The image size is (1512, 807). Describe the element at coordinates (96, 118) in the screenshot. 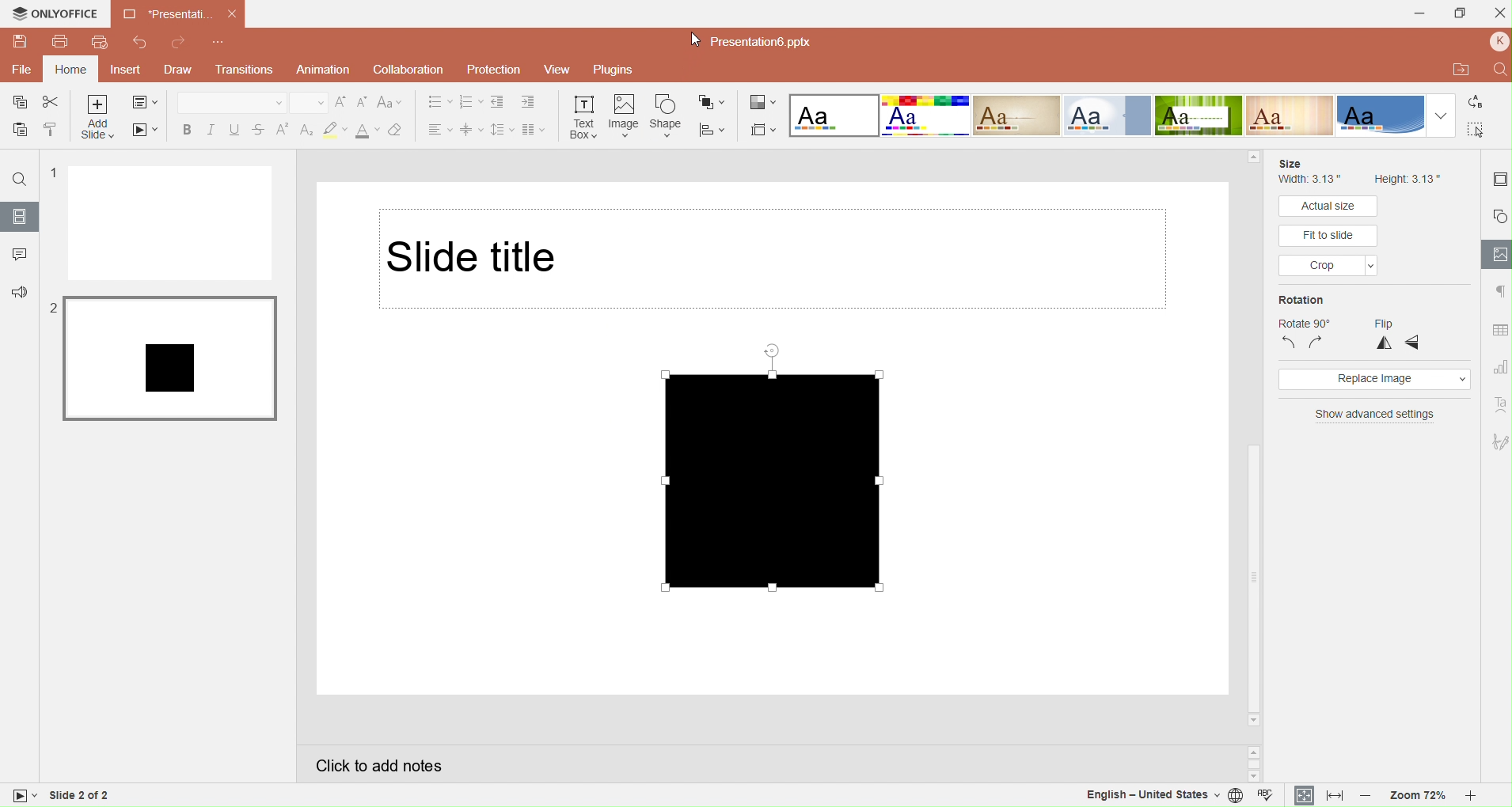

I see `Add slide` at that location.